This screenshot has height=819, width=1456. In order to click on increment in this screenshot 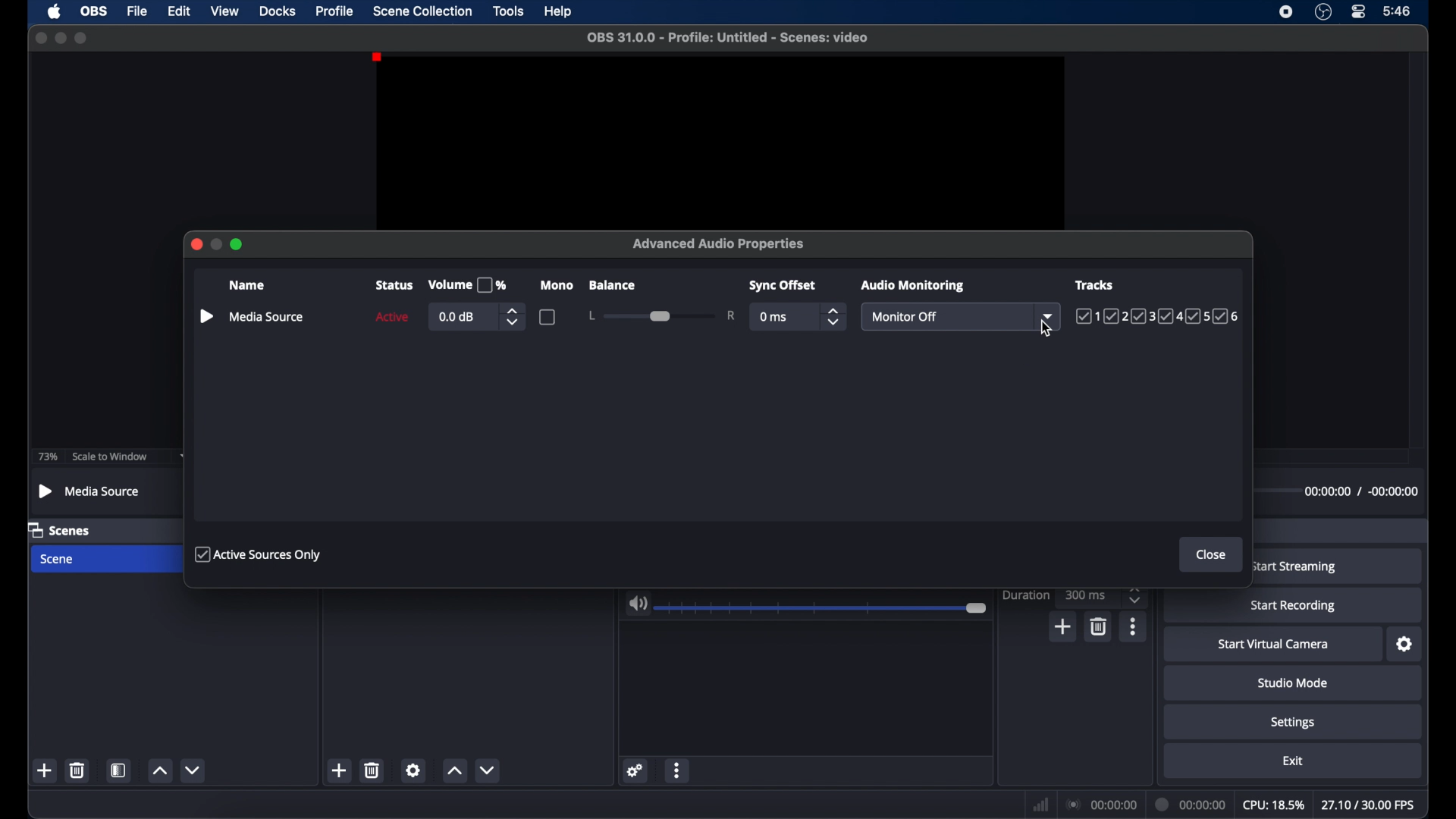, I will do `click(454, 770)`.